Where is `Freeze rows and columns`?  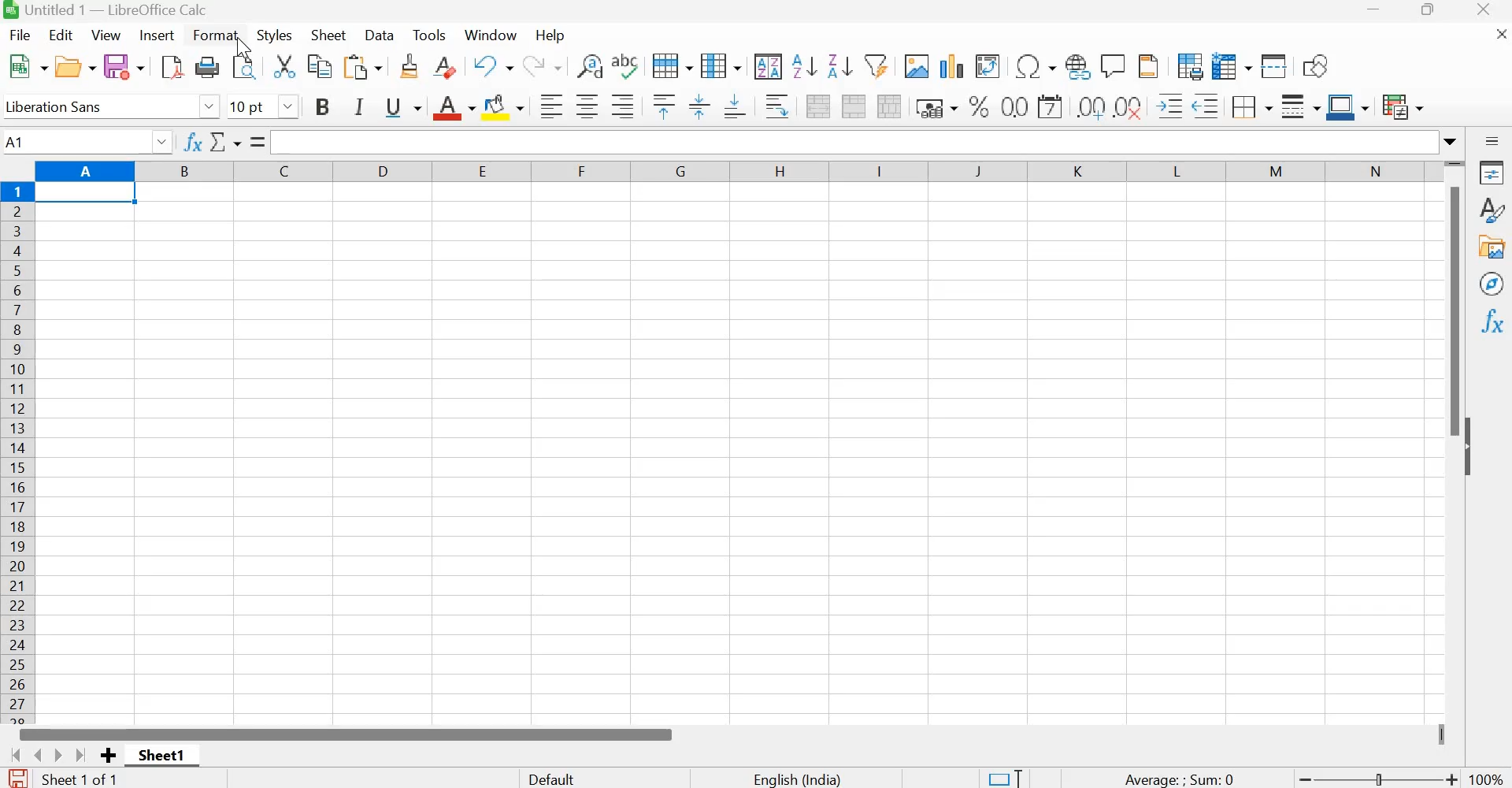
Freeze rows and columns is located at coordinates (1232, 66).